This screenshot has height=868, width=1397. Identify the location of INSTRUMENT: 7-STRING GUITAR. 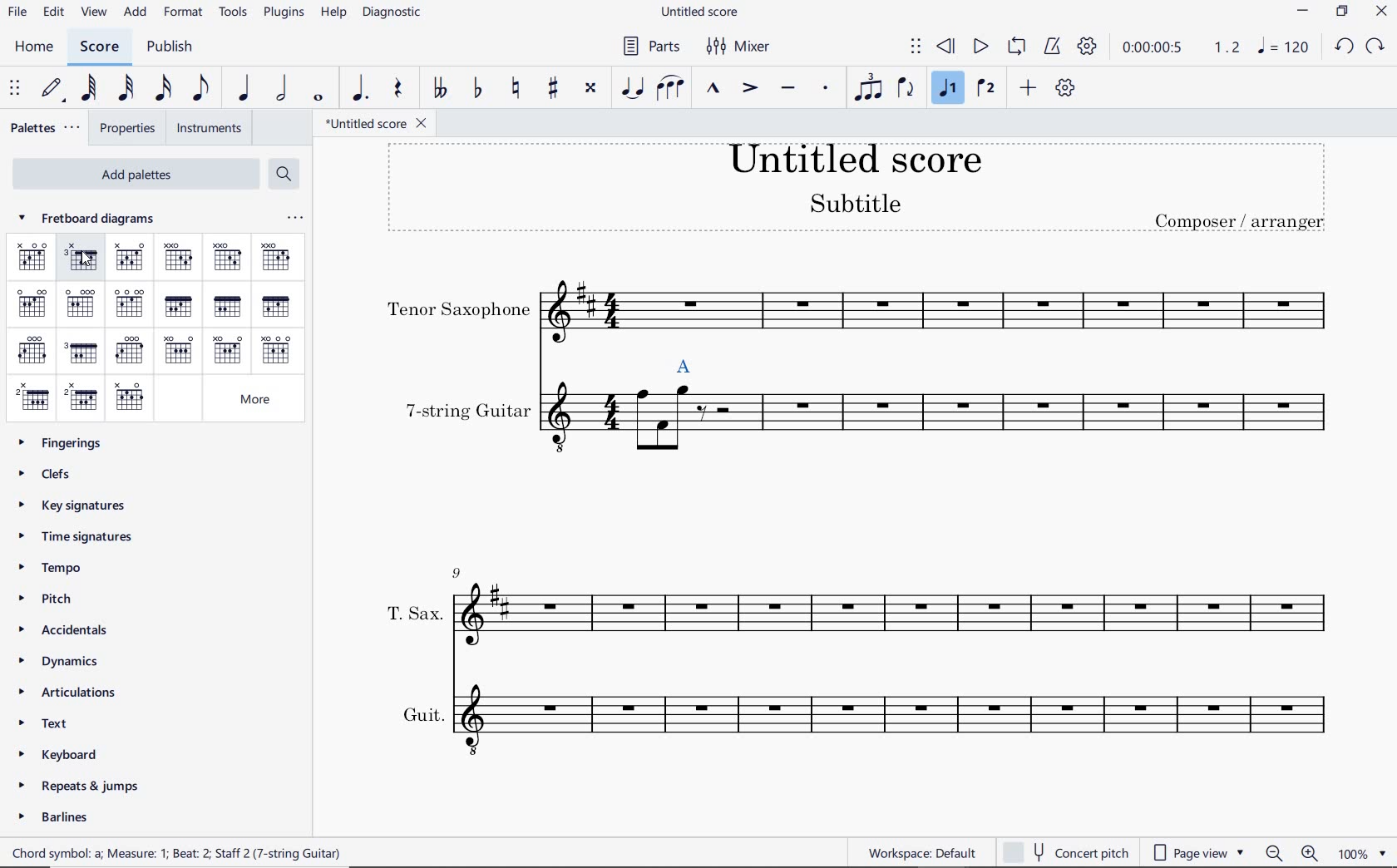
(866, 440).